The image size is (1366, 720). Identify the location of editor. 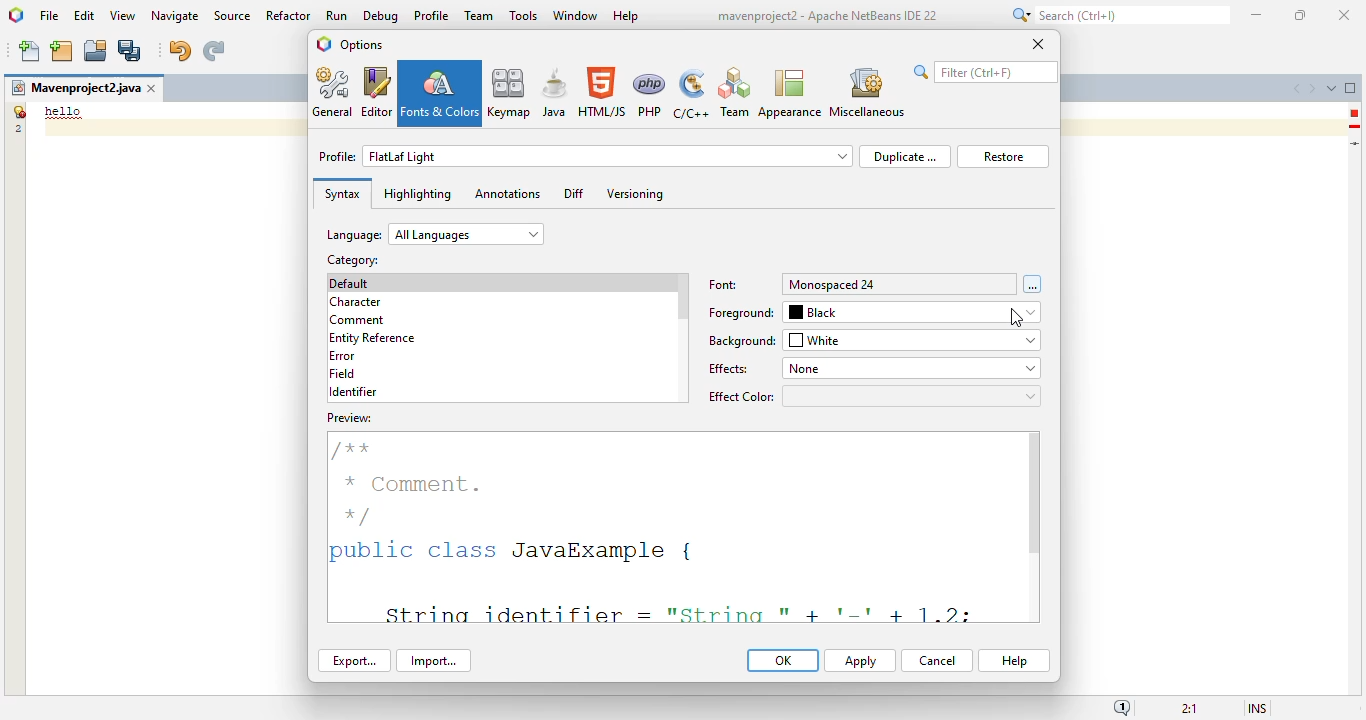
(377, 92).